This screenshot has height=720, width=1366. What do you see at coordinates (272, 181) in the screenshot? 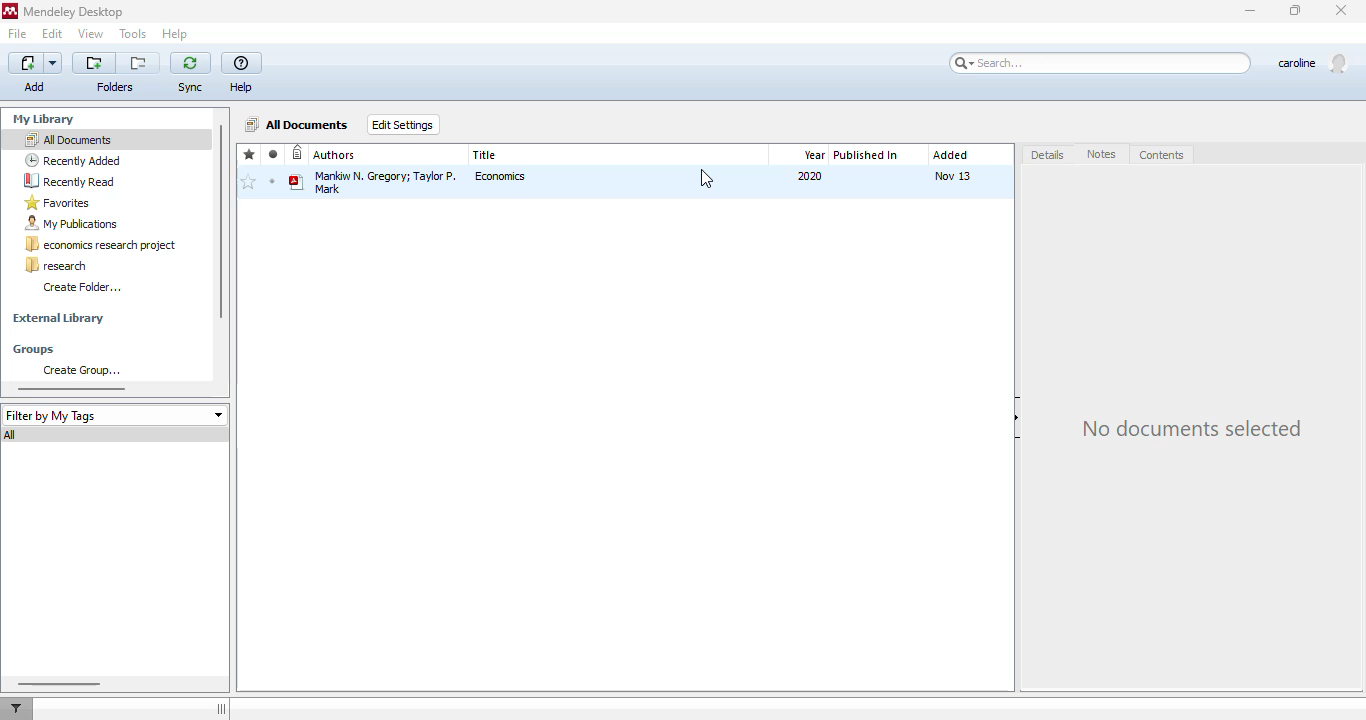
I see `unread` at bounding box center [272, 181].